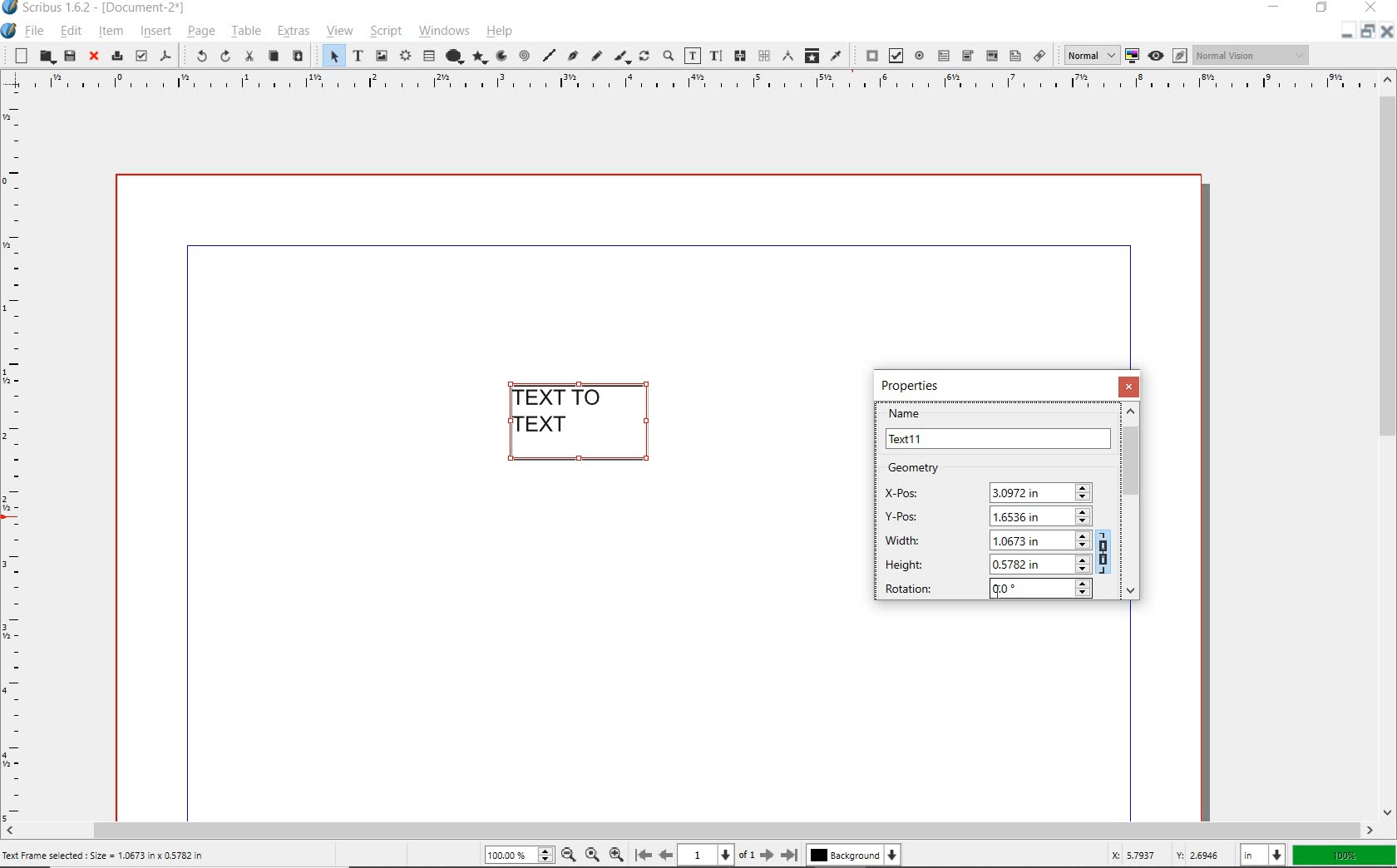  Describe the element at coordinates (1088, 54) in the screenshot. I see `select image preview quality` at that location.